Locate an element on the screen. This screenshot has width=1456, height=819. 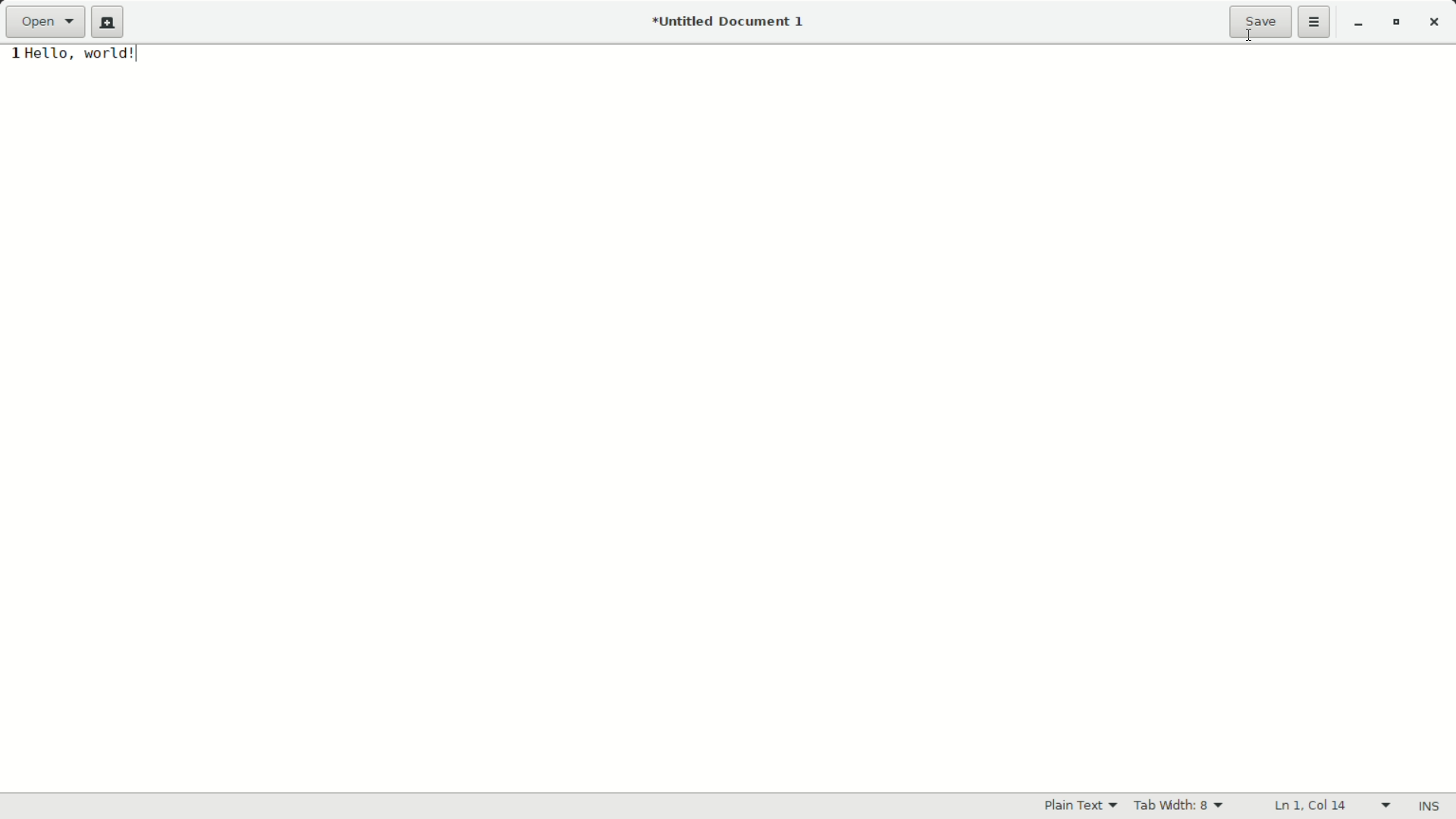
new document is located at coordinates (108, 23).